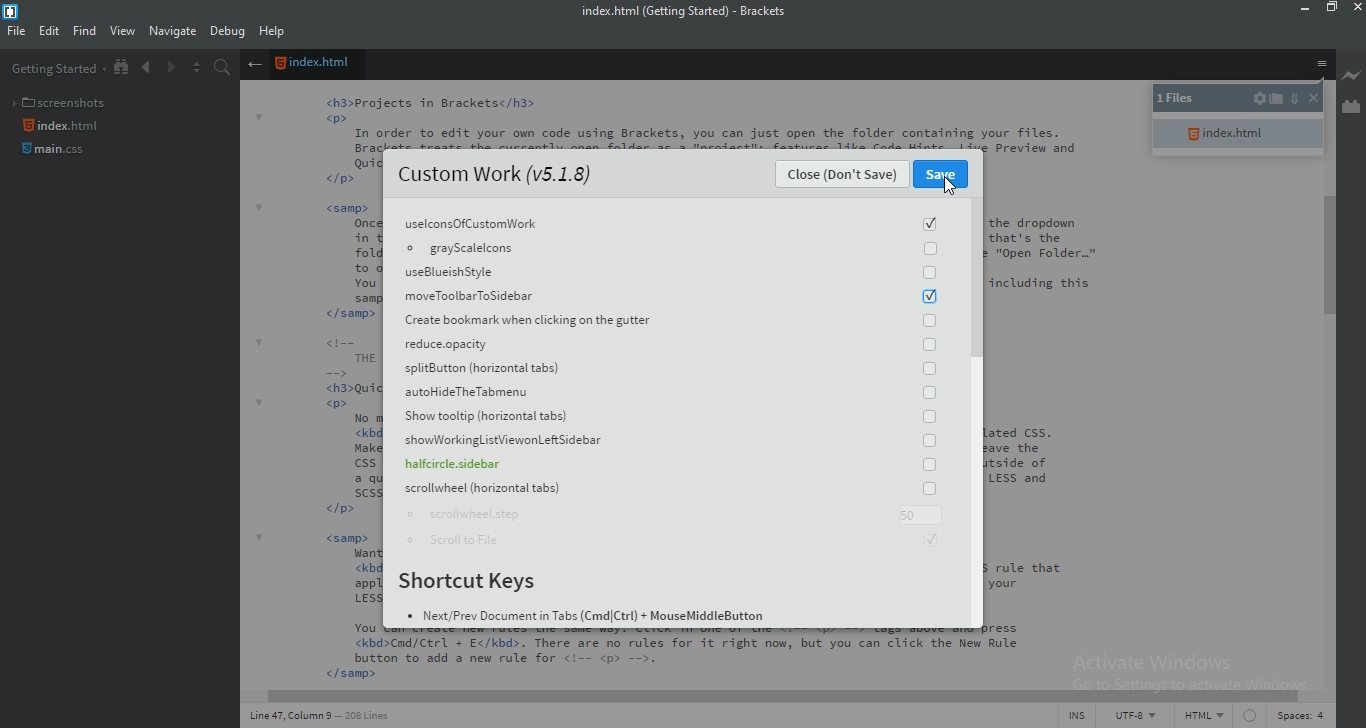  I want to click on main.css, so click(56, 154).